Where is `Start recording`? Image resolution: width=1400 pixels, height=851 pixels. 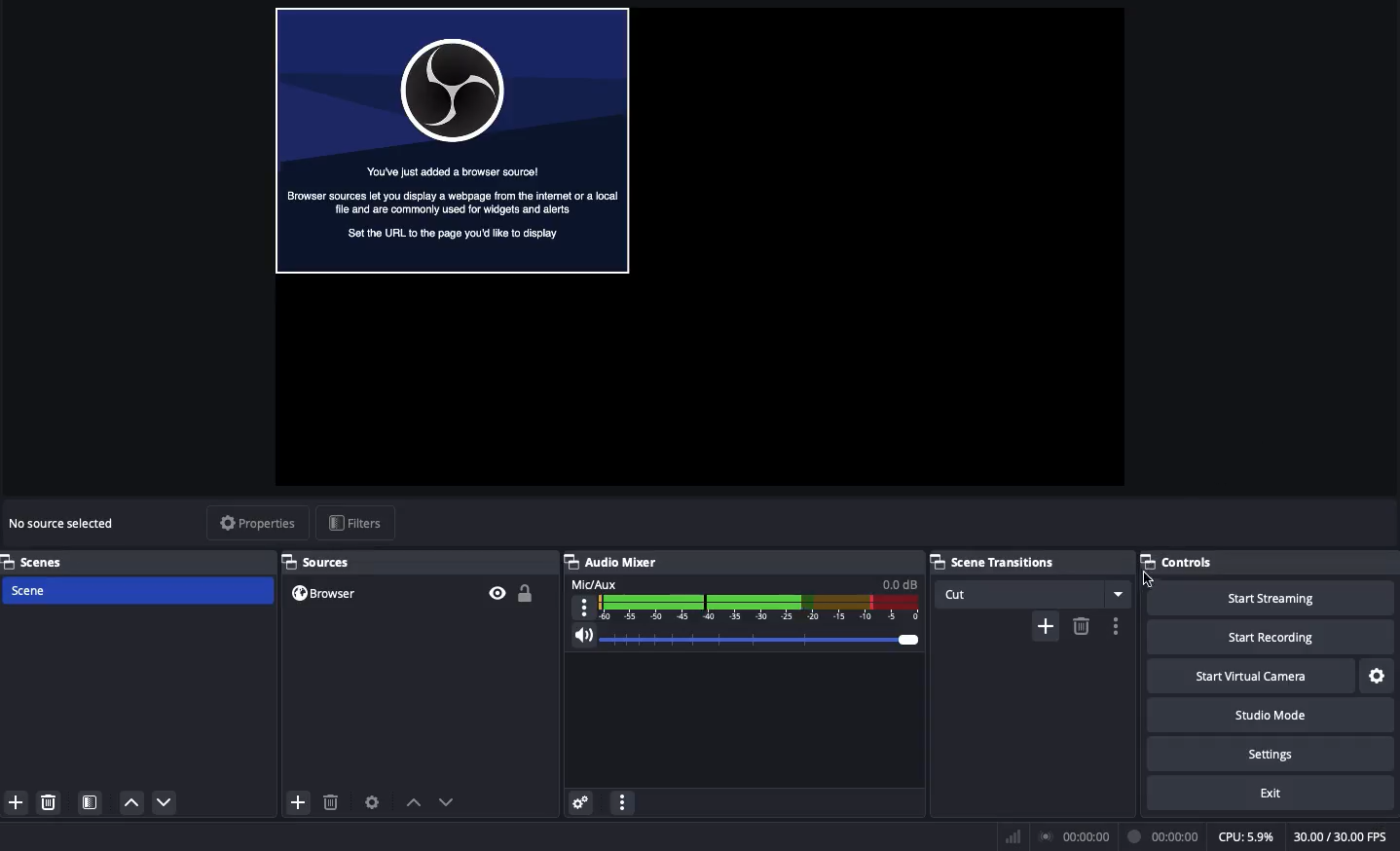
Start recording is located at coordinates (1259, 639).